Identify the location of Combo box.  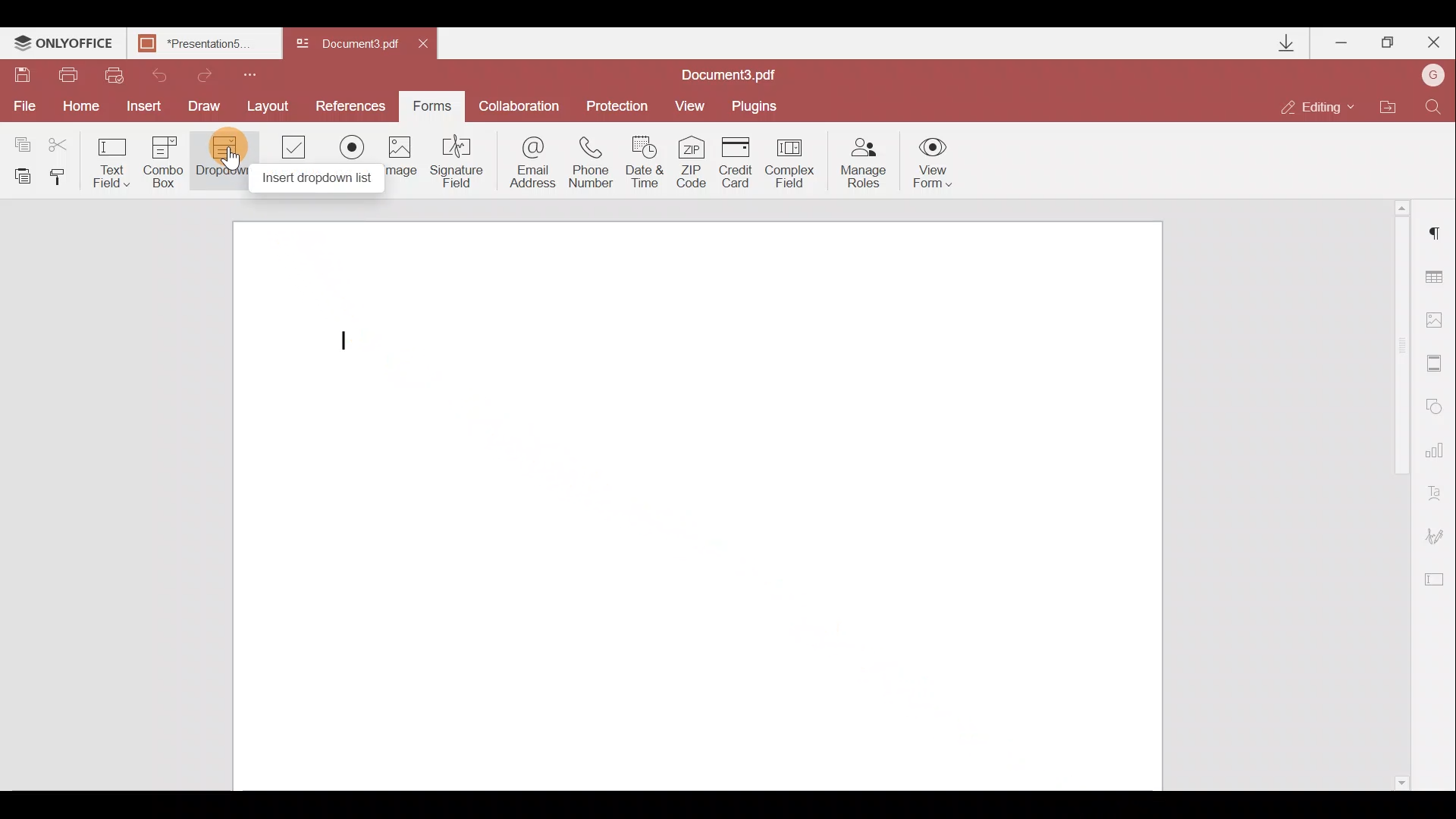
(164, 159).